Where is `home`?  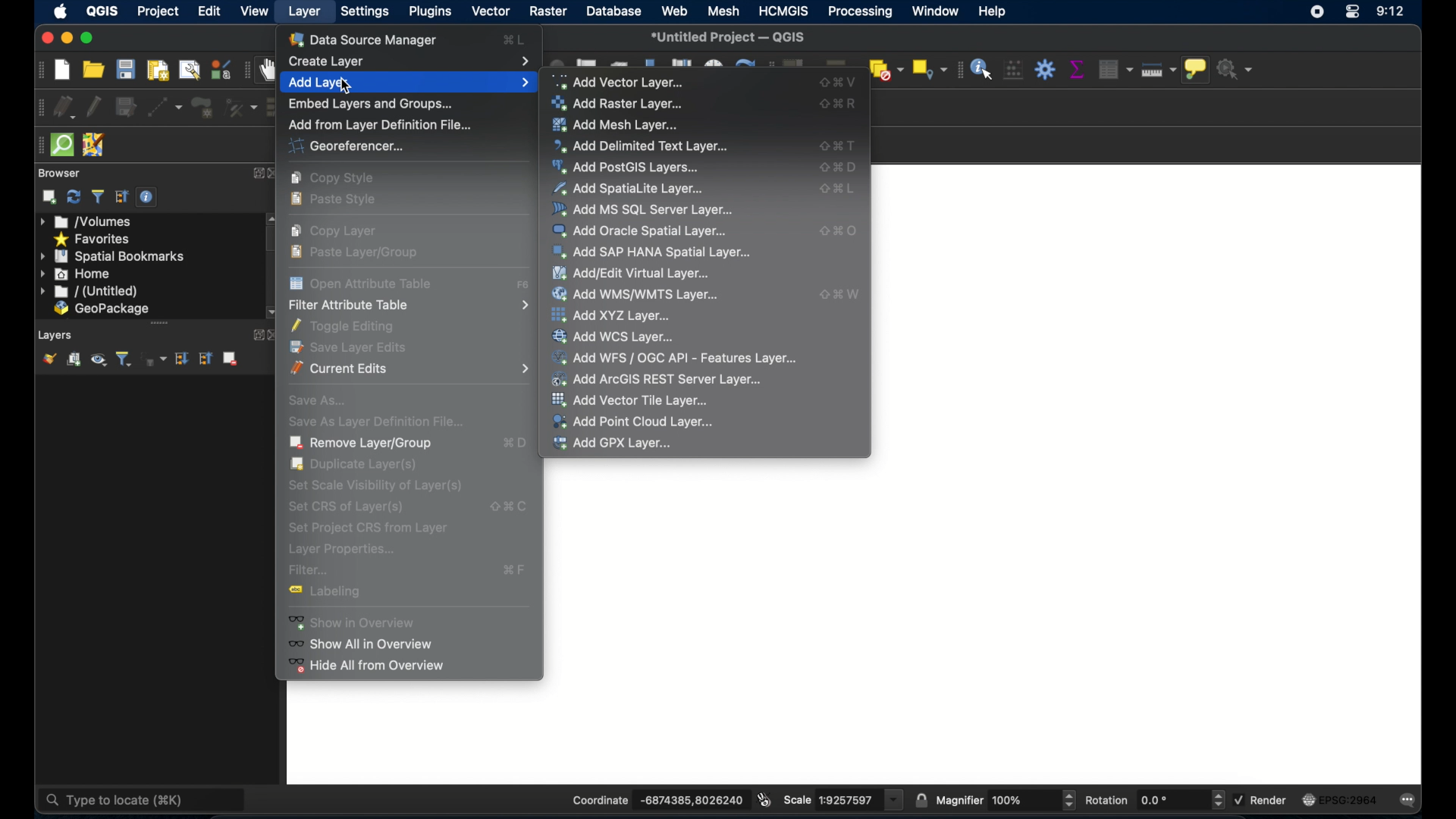
home is located at coordinates (77, 274).